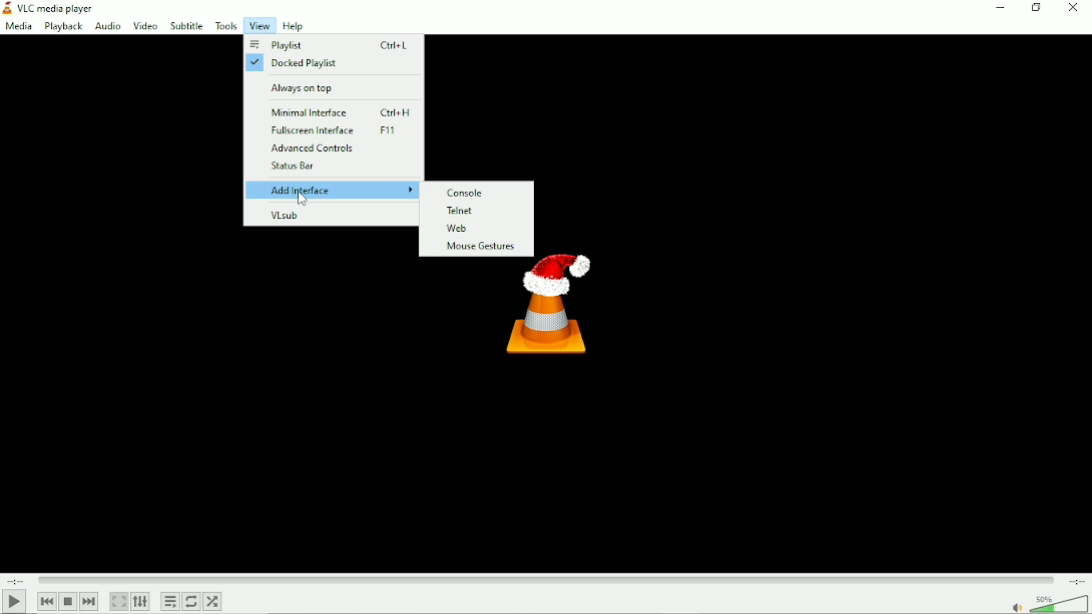  I want to click on Video, so click(144, 26).